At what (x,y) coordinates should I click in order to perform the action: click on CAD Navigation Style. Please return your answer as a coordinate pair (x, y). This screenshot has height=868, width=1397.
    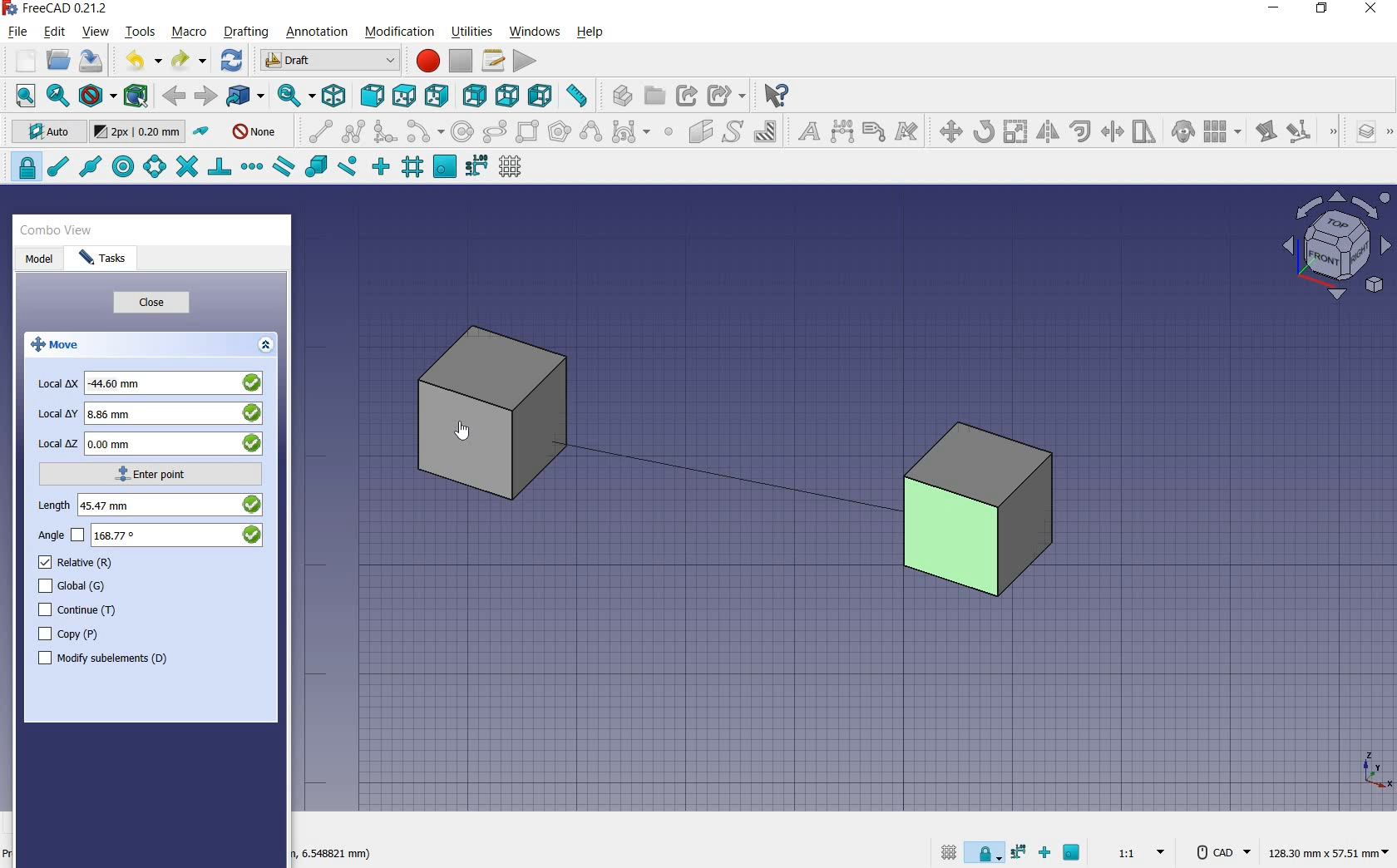
    Looking at the image, I should click on (1220, 851).